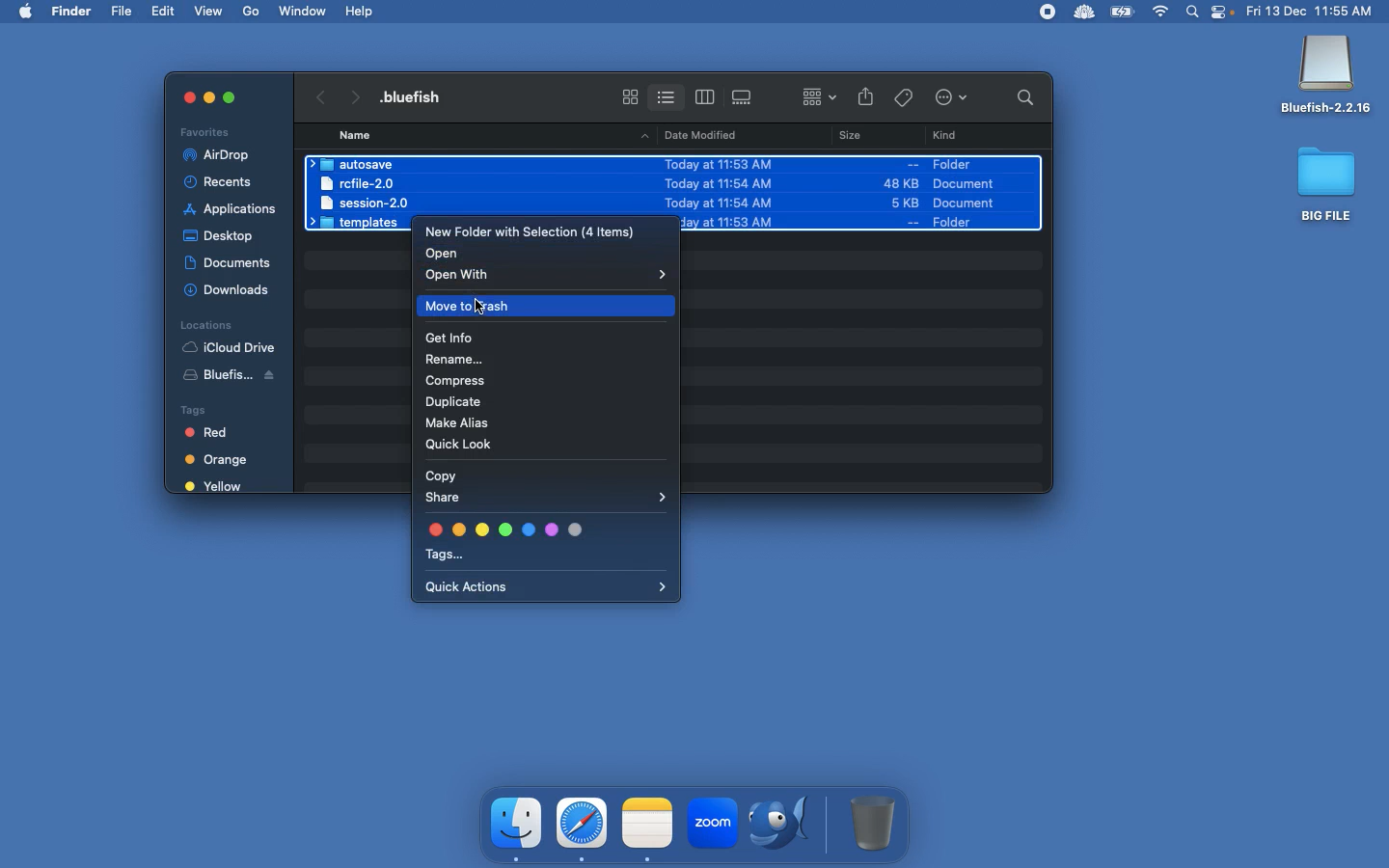  I want to click on Bluefish, so click(237, 378).